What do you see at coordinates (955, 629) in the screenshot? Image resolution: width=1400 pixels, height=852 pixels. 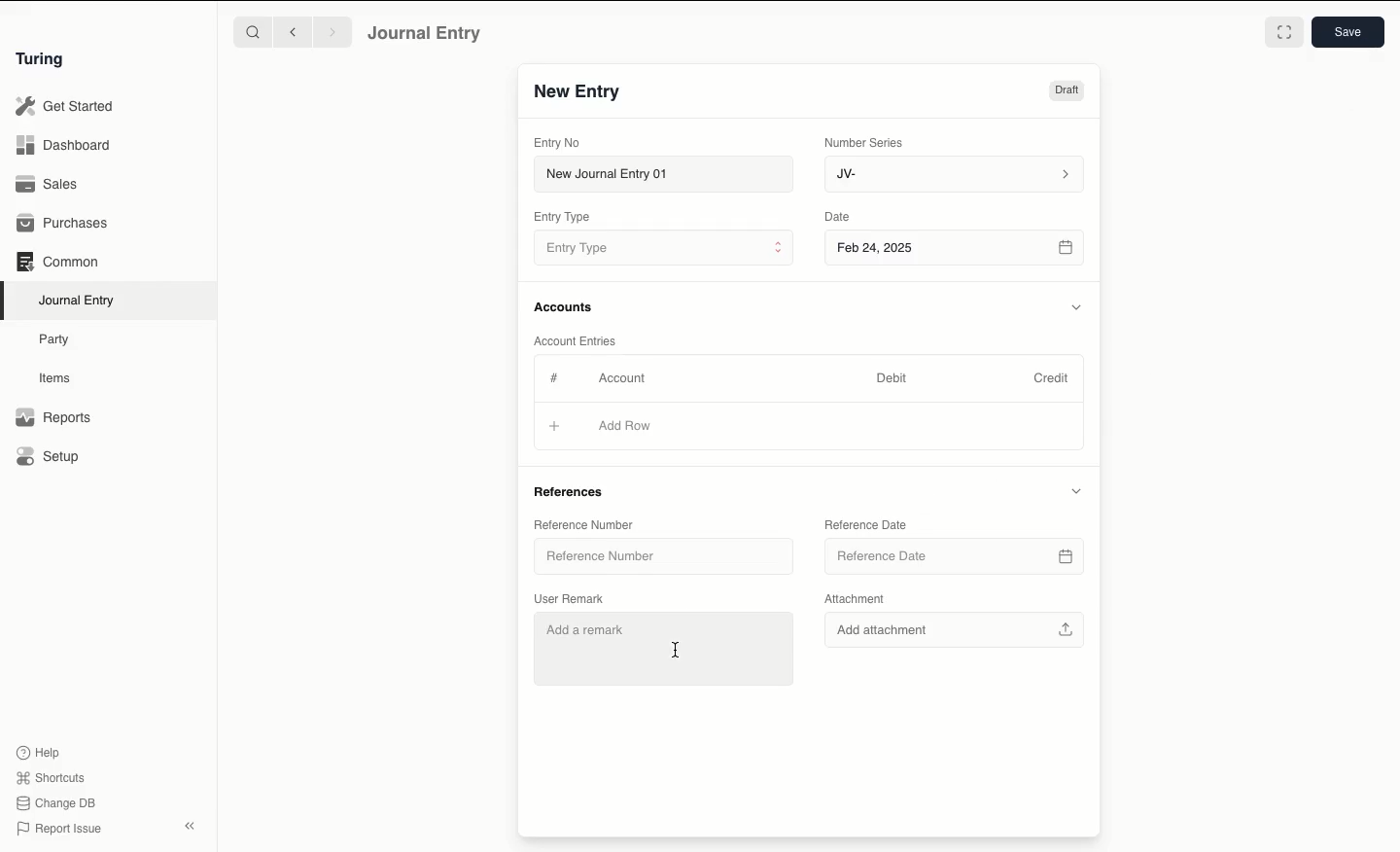 I see `Add attachment` at bounding box center [955, 629].